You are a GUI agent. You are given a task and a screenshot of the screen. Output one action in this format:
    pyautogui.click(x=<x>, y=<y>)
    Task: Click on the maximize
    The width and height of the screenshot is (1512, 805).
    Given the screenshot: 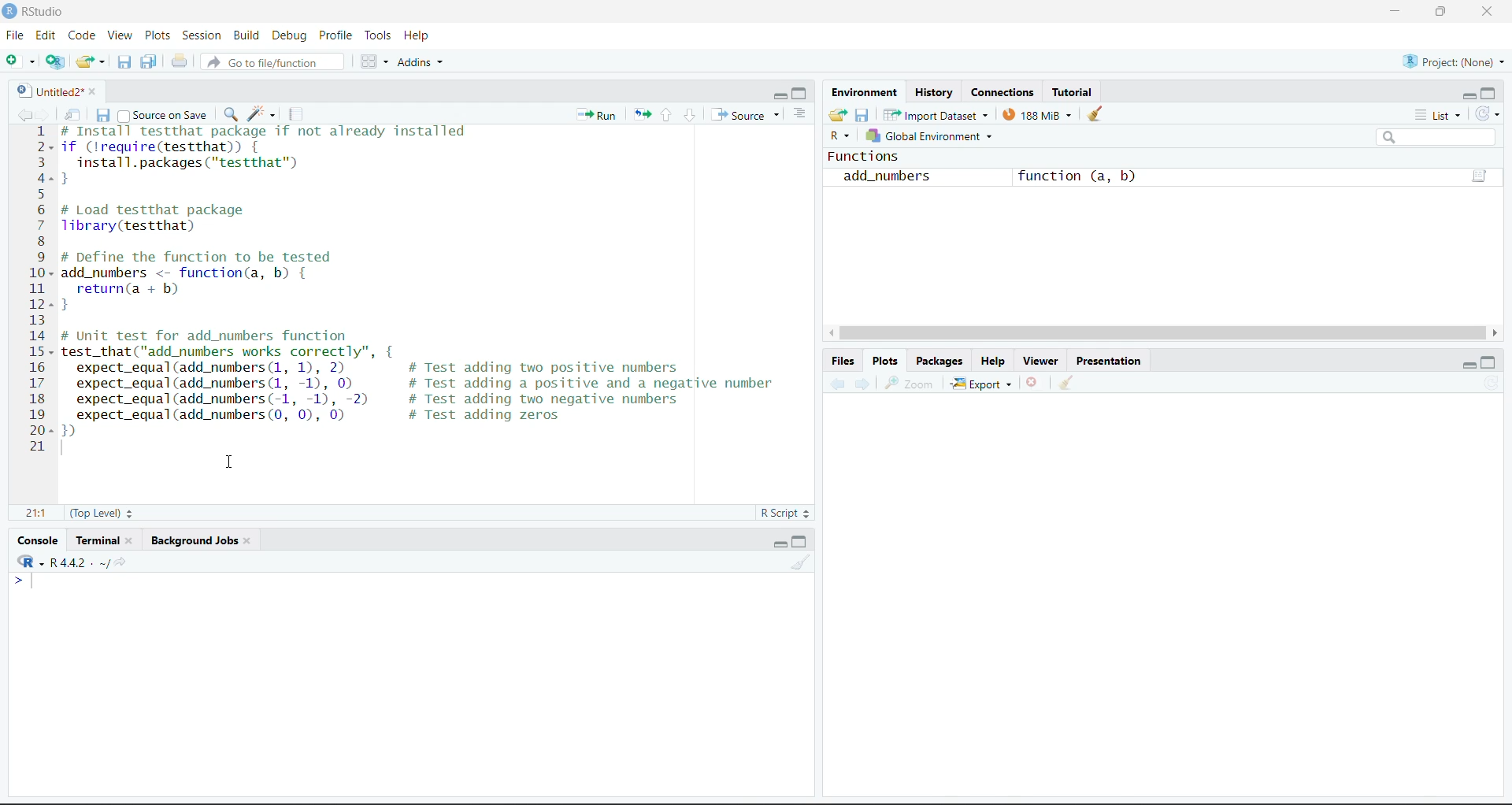 What is the action you would take?
    pyautogui.click(x=1444, y=12)
    